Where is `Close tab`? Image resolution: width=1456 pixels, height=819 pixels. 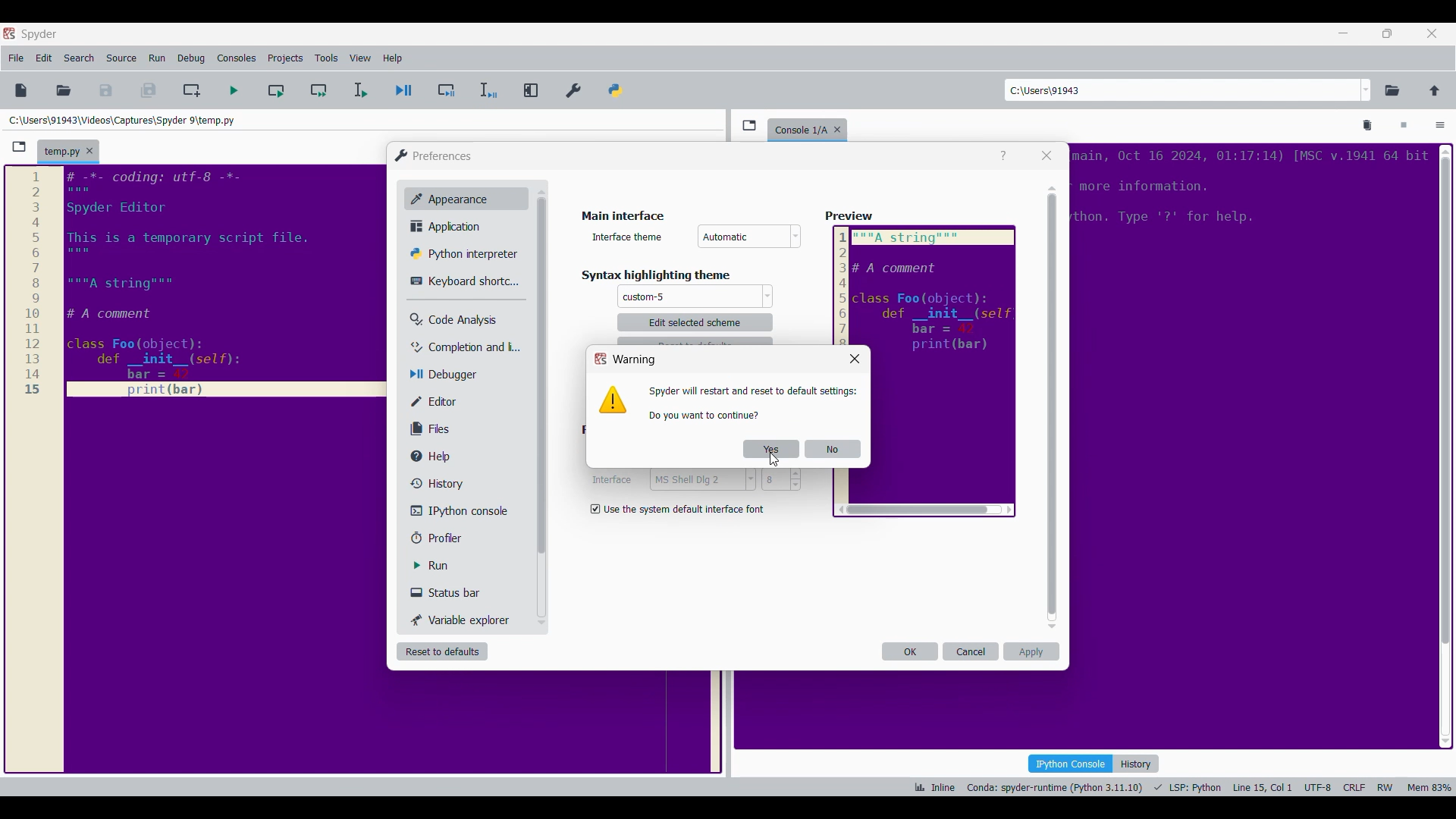
Close tab is located at coordinates (90, 151).